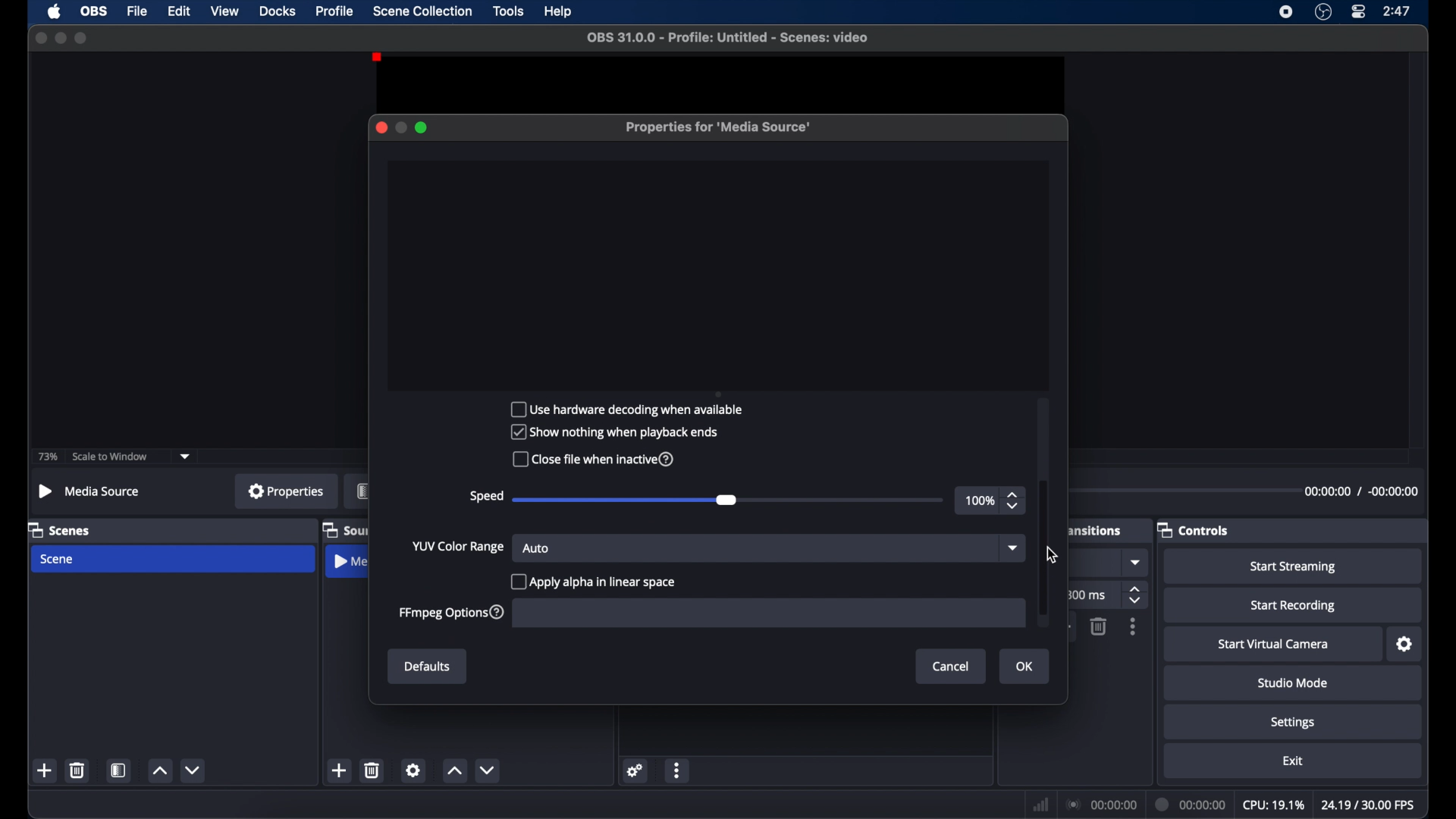 The width and height of the screenshot is (1456, 819). Describe the element at coordinates (45, 770) in the screenshot. I see `add` at that location.